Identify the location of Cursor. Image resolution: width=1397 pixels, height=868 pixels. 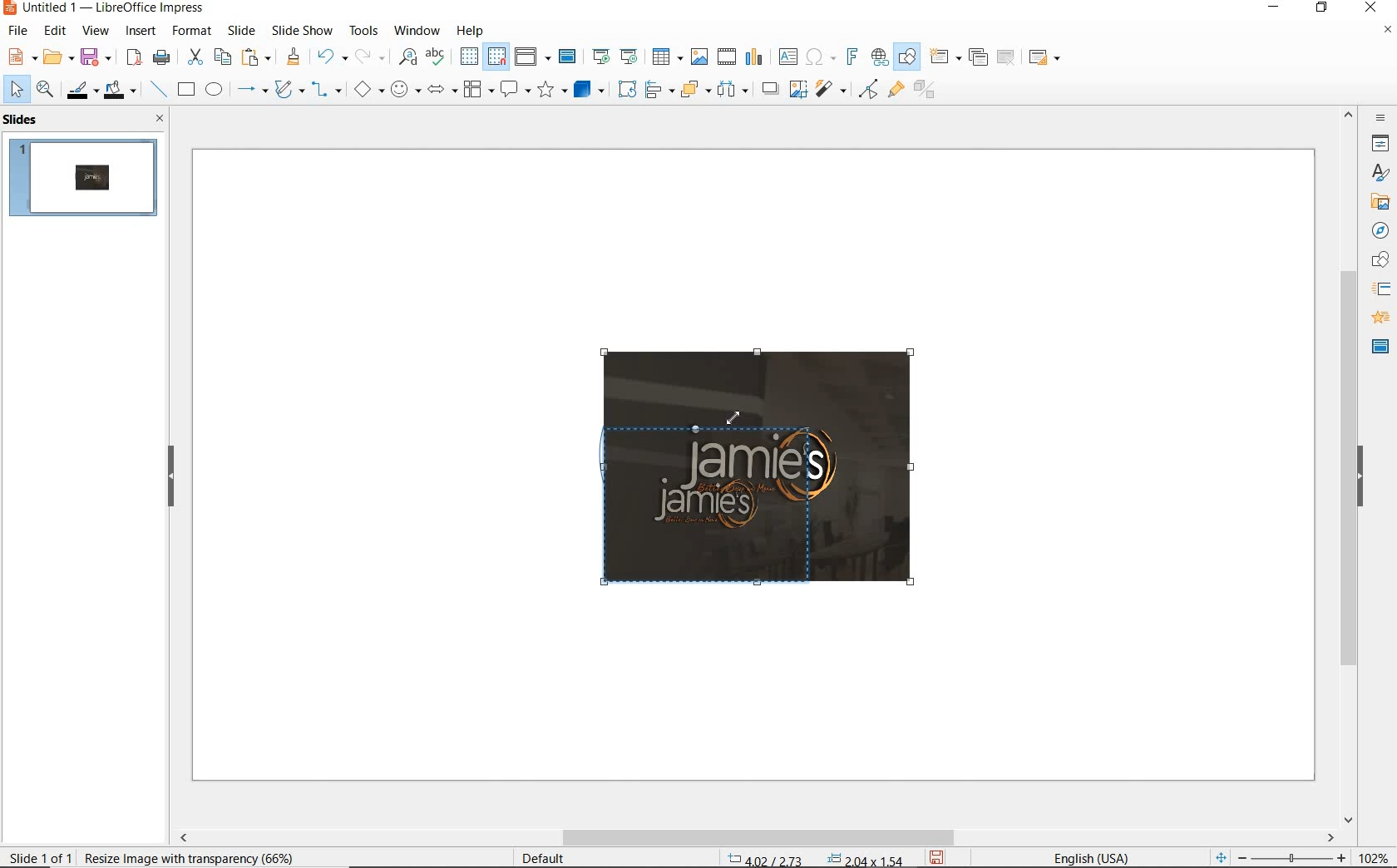
(738, 421).